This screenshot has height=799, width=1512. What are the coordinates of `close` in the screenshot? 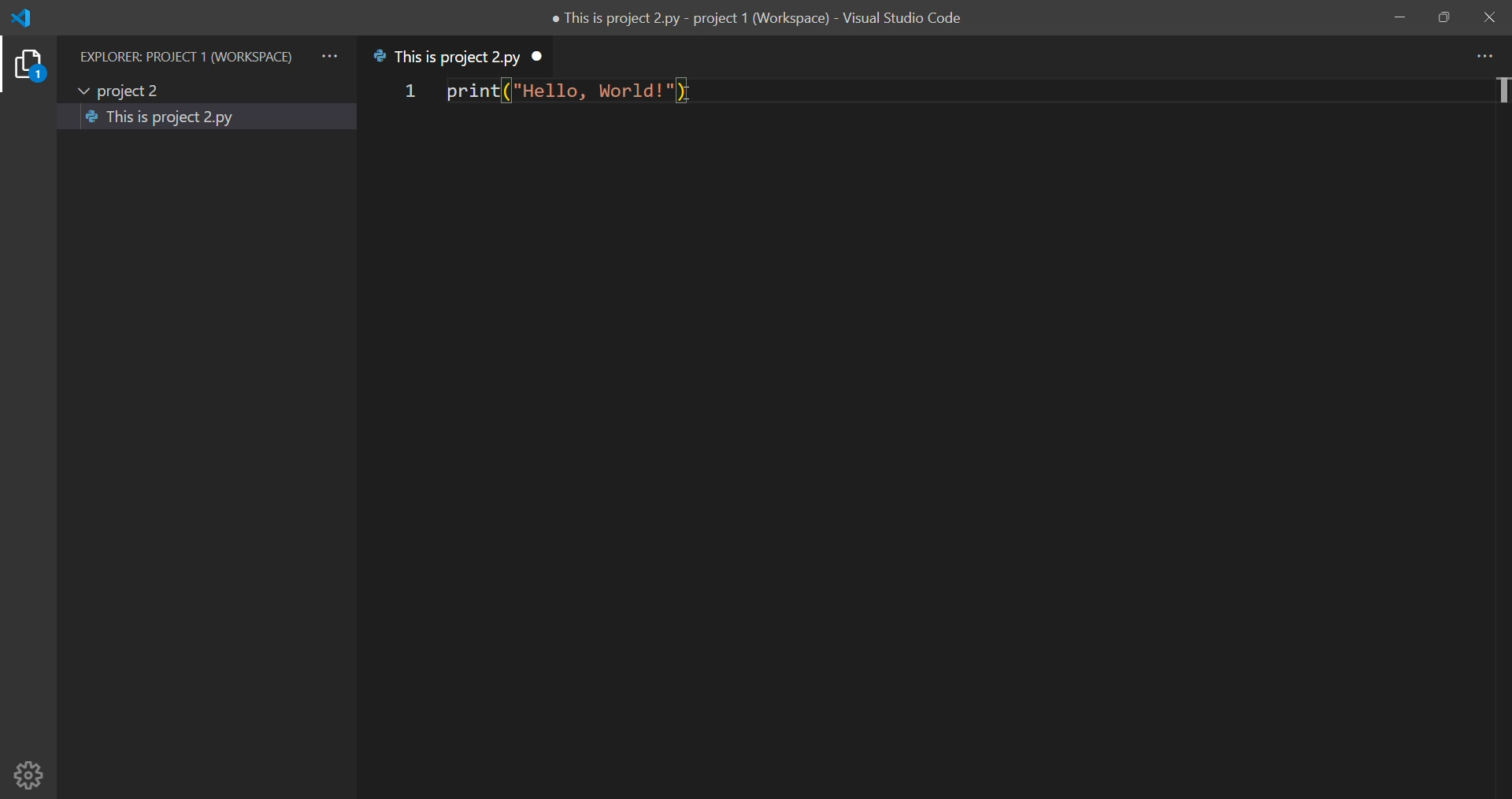 It's located at (1488, 18).